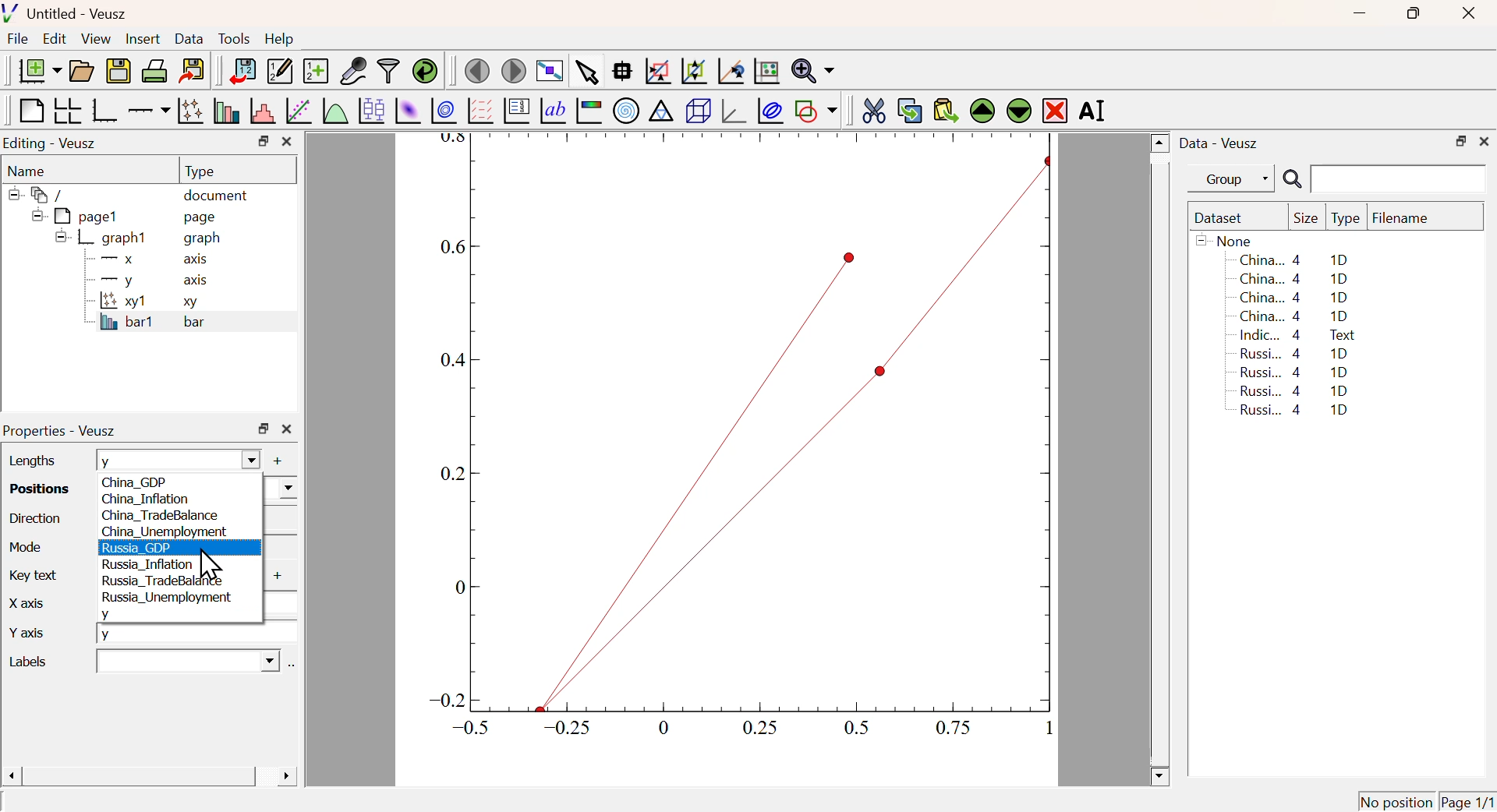  I want to click on 3D Scene, so click(698, 111).